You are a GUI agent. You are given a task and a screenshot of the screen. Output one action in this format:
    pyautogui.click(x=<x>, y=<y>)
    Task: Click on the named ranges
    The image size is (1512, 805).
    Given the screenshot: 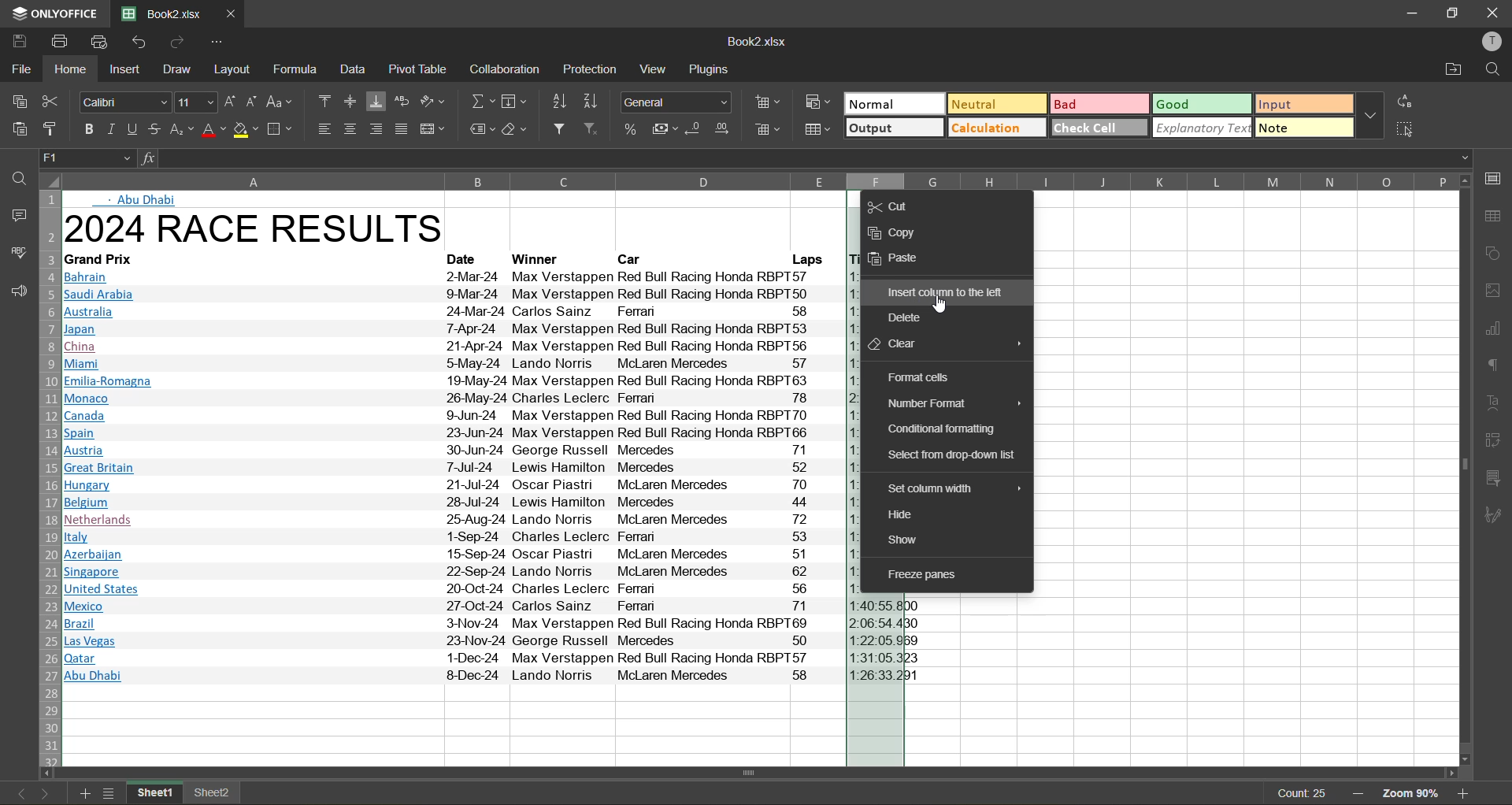 What is the action you would take?
    pyautogui.click(x=481, y=129)
    